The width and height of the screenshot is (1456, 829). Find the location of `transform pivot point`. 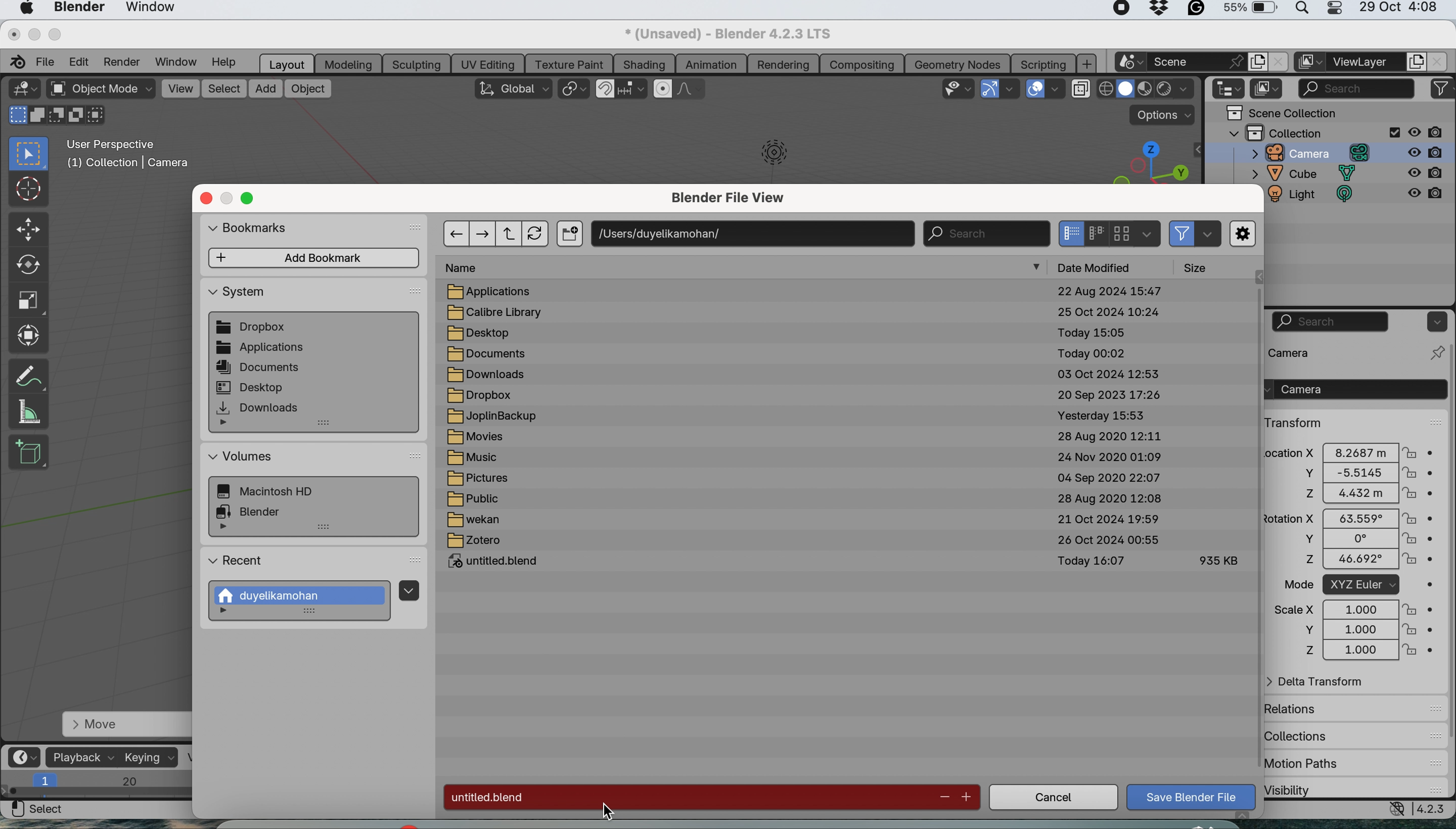

transform pivot point is located at coordinates (573, 91).